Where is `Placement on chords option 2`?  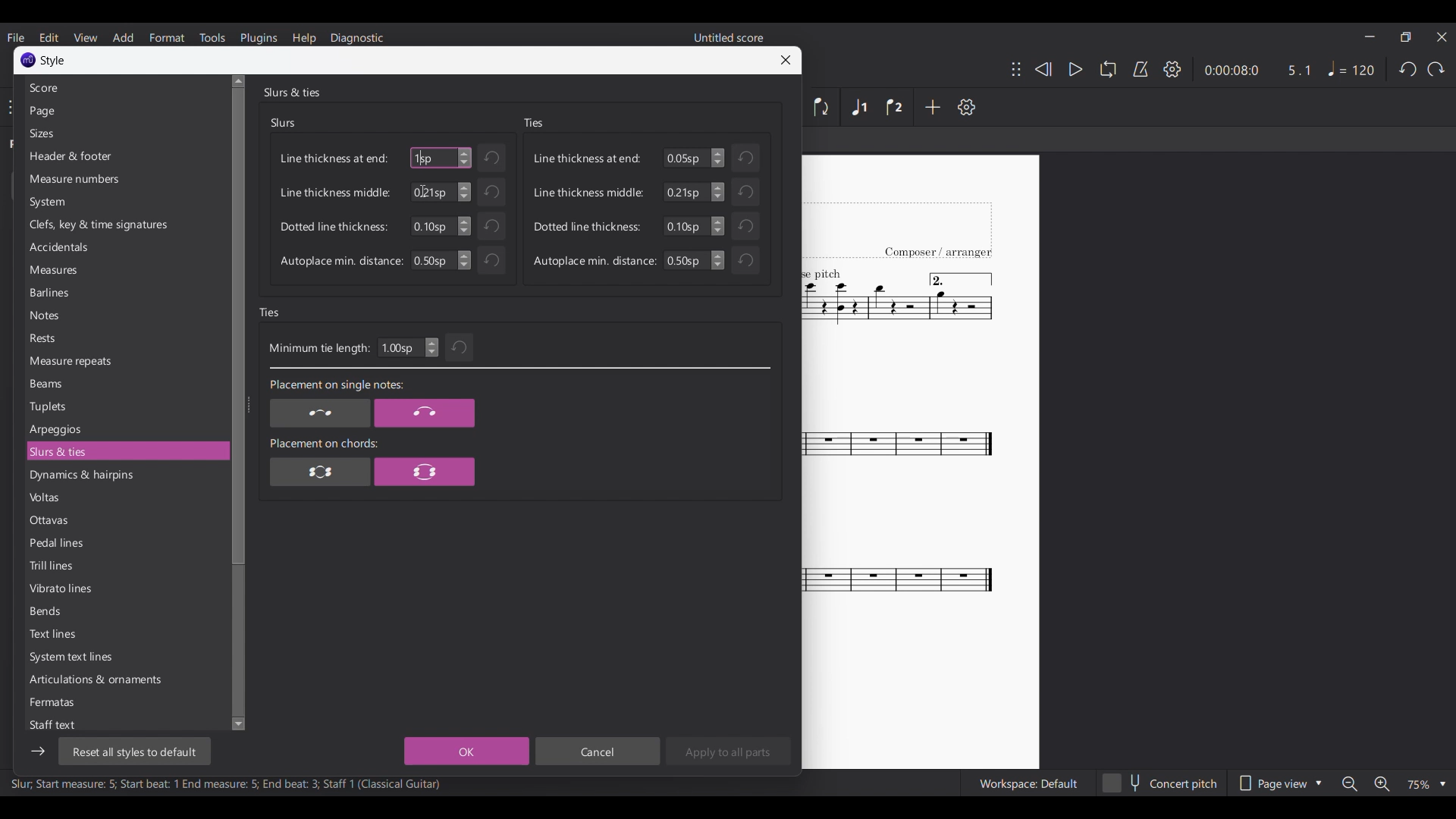 Placement on chords option 2 is located at coordinates (425, 471).